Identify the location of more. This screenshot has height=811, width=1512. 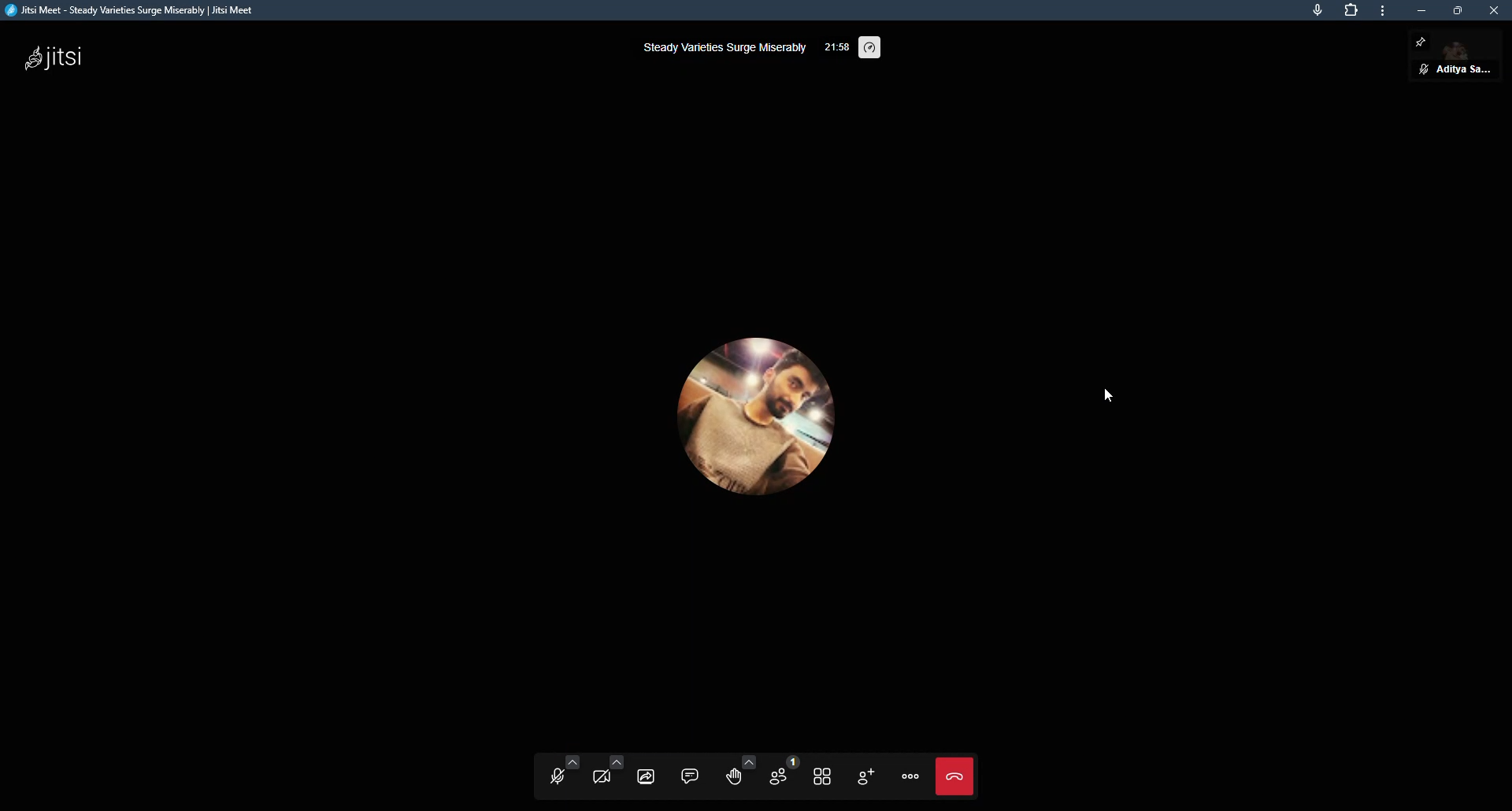
(1382, 13).